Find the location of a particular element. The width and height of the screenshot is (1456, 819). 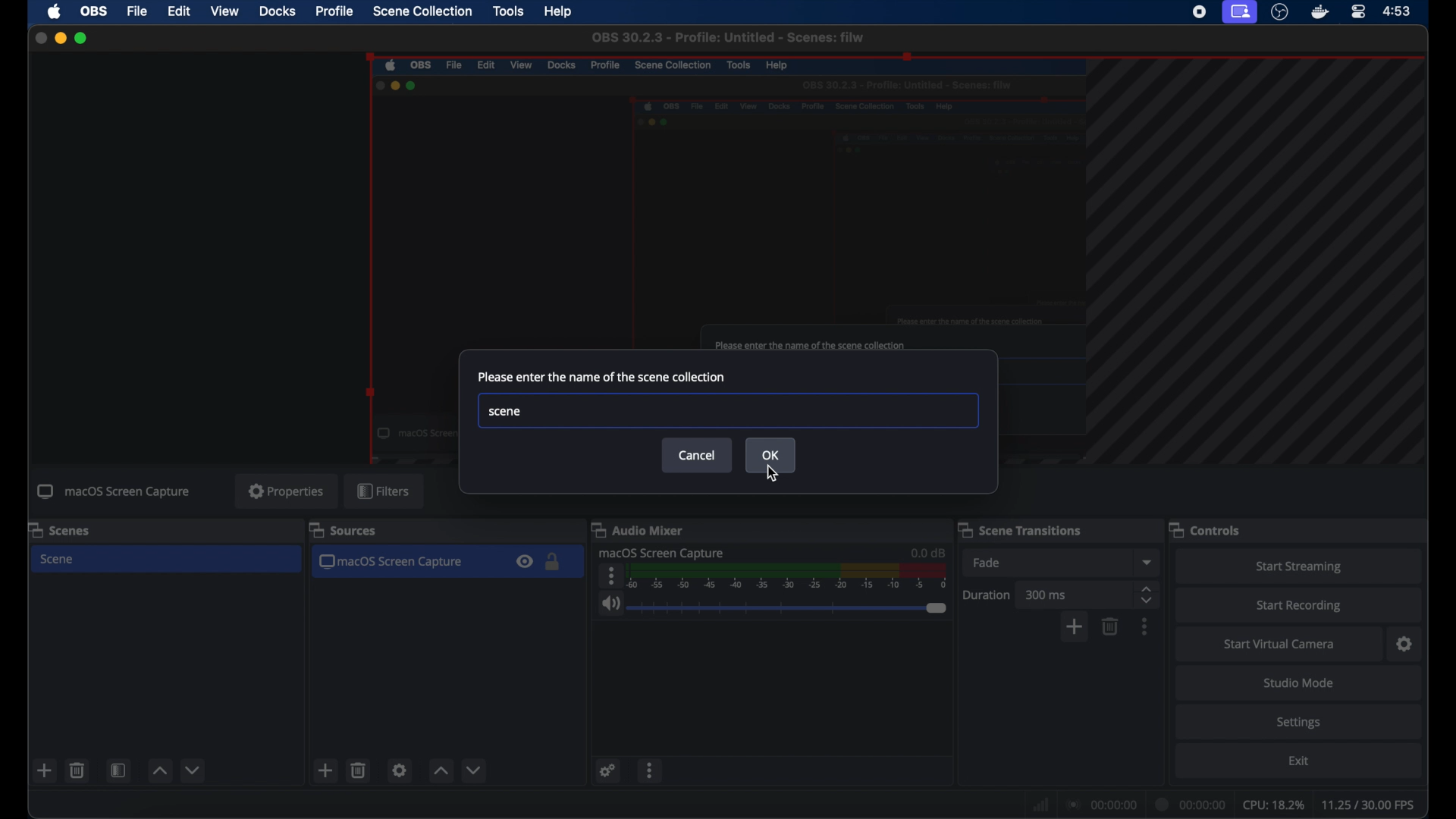

fps is located at coordinates (1373, 805).